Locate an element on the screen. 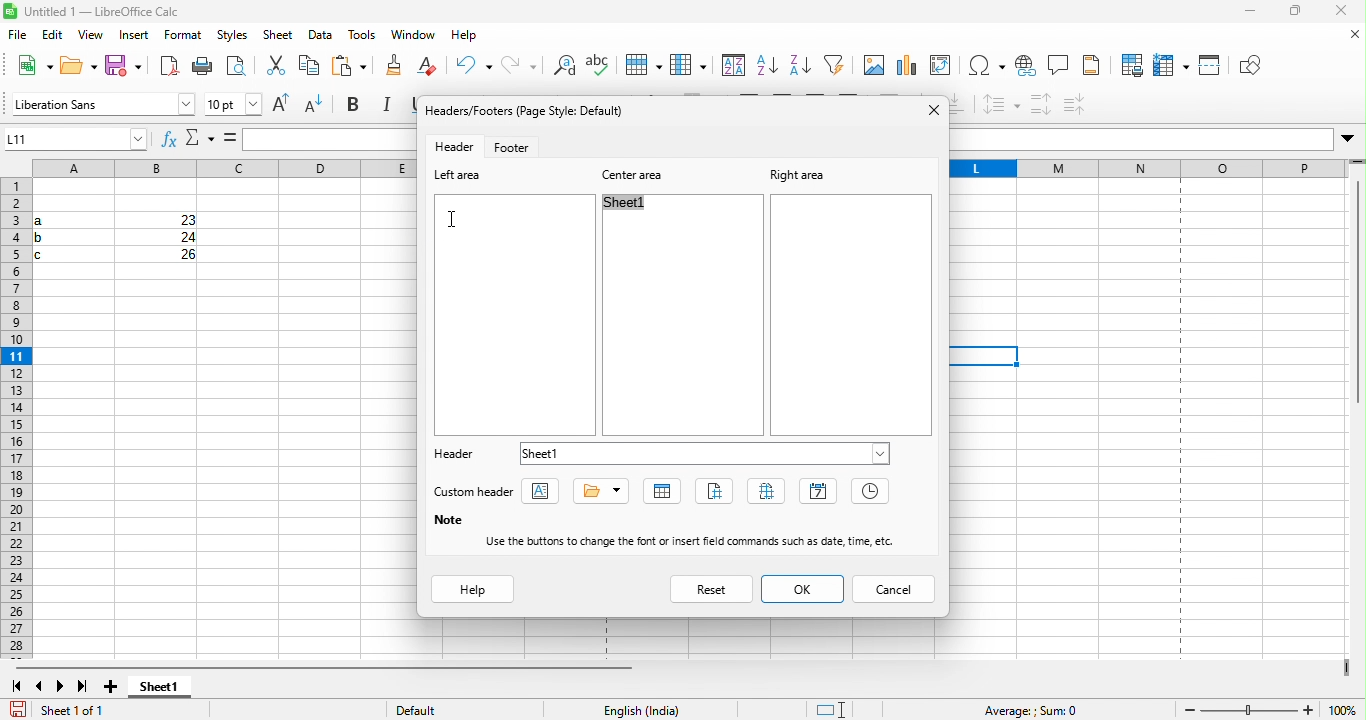 The height and width of the screenshot is (720, 1366). text language is located at coordinates (652, 708).